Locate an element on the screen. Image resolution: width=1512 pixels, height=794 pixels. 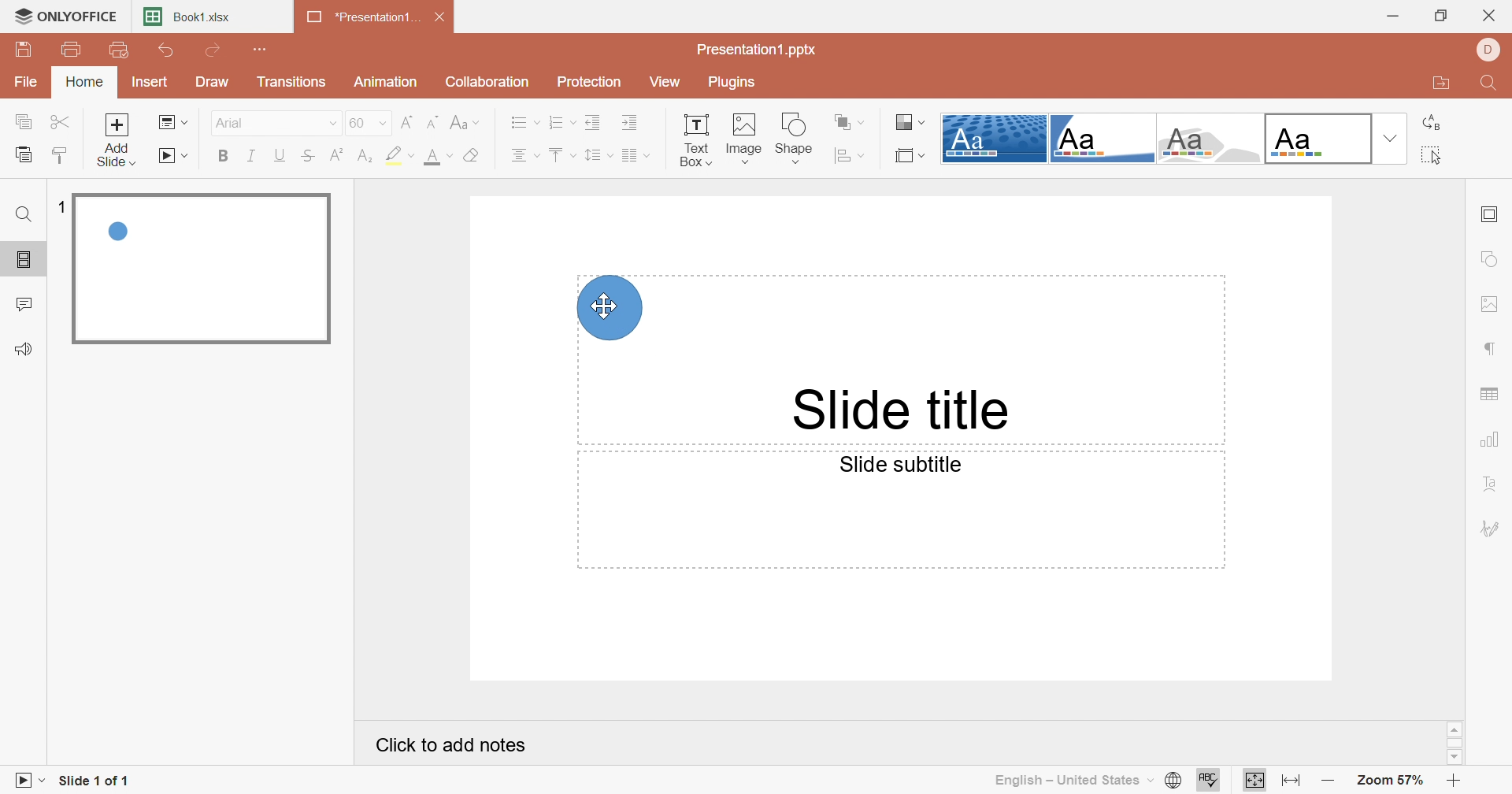
Image settings is located at coordinates (1492, 304).